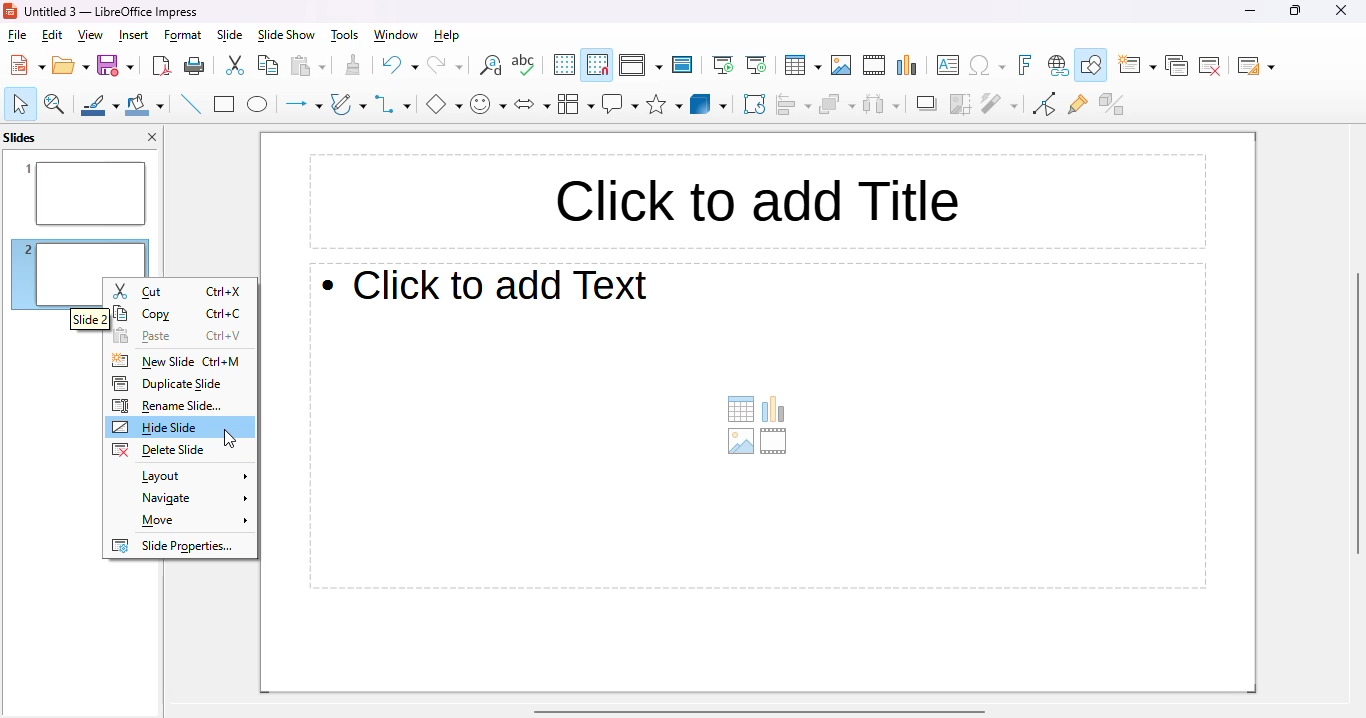 The width and height of the screenshot is (1366, 718). What do you see at coordinates (20, 103) in the screenshot?
I see `select` at bounding box center [20, 103].